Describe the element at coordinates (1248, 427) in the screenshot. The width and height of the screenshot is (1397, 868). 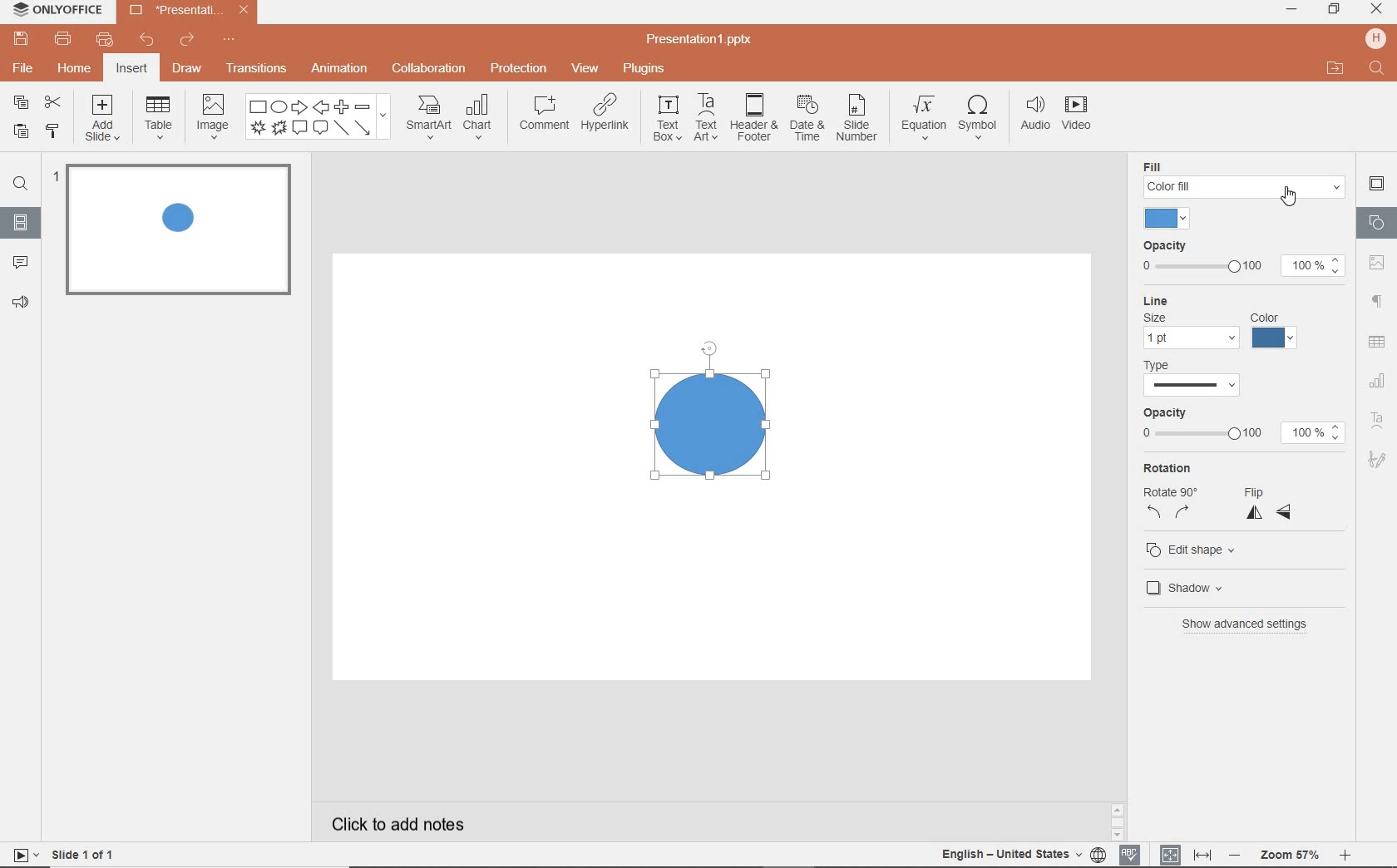
I see `opacity` at that location.